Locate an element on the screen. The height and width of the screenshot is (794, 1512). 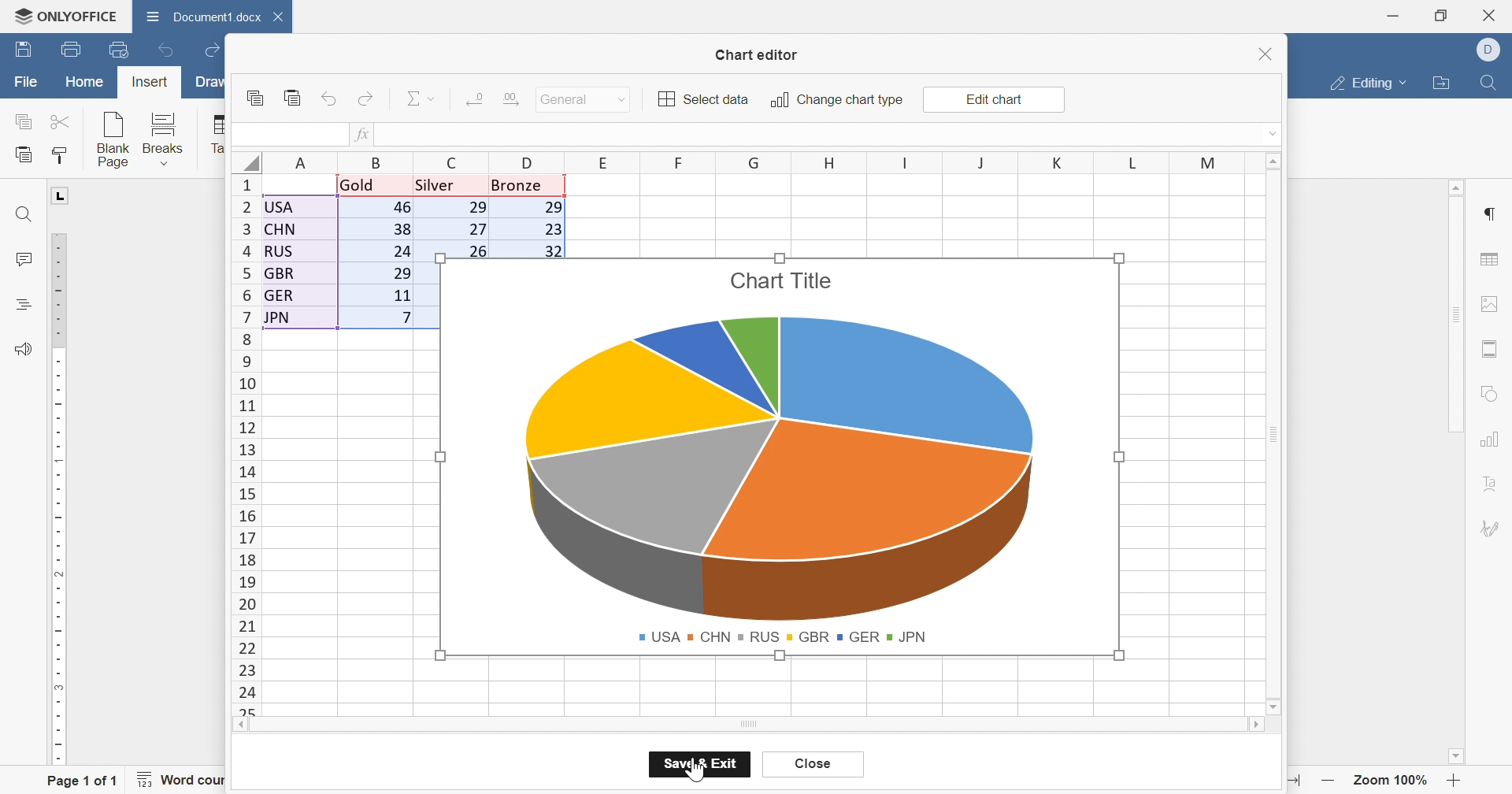
Dell is located at coordinates (1488, 48).